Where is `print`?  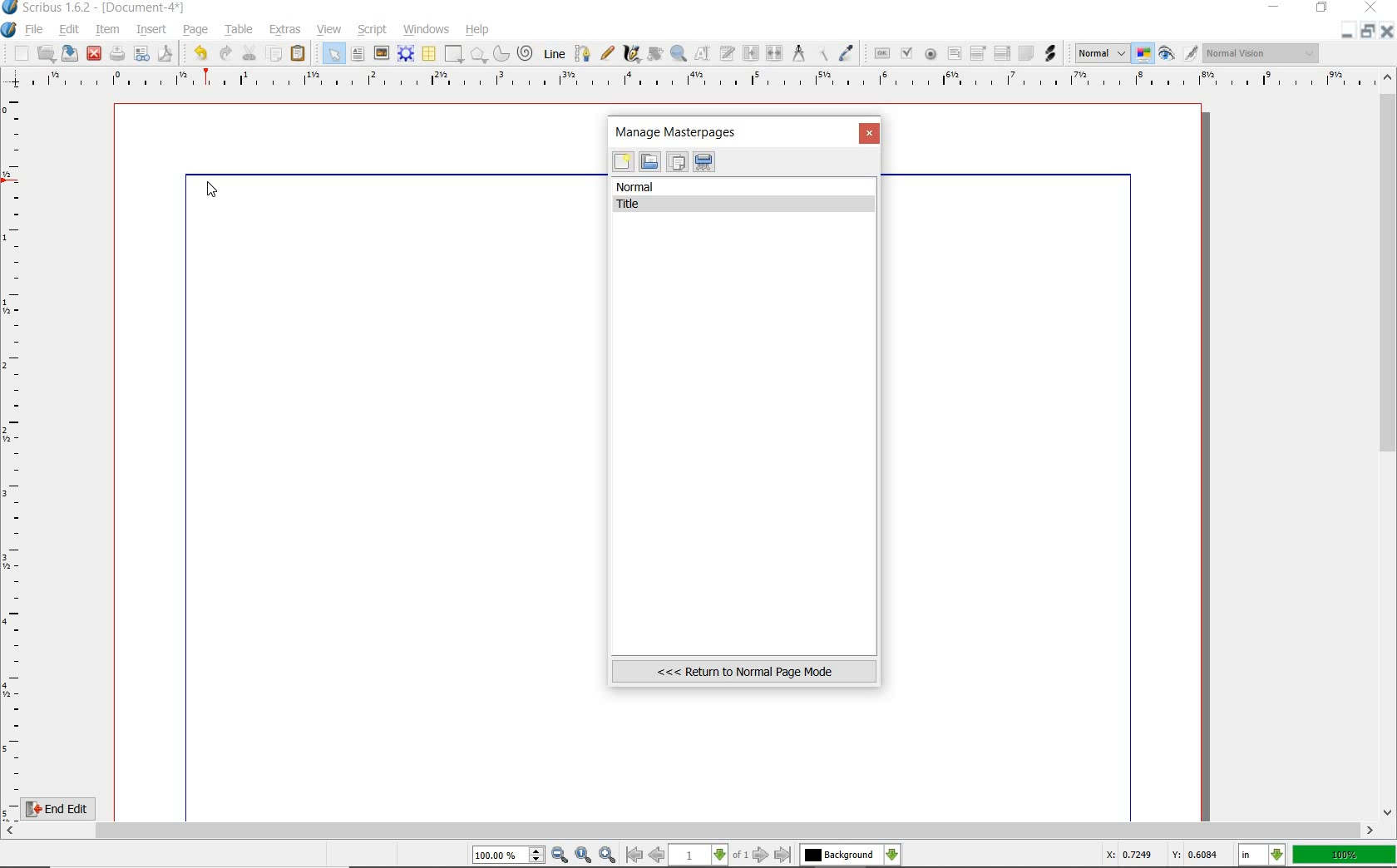
print is located at coordinates (117, 53).